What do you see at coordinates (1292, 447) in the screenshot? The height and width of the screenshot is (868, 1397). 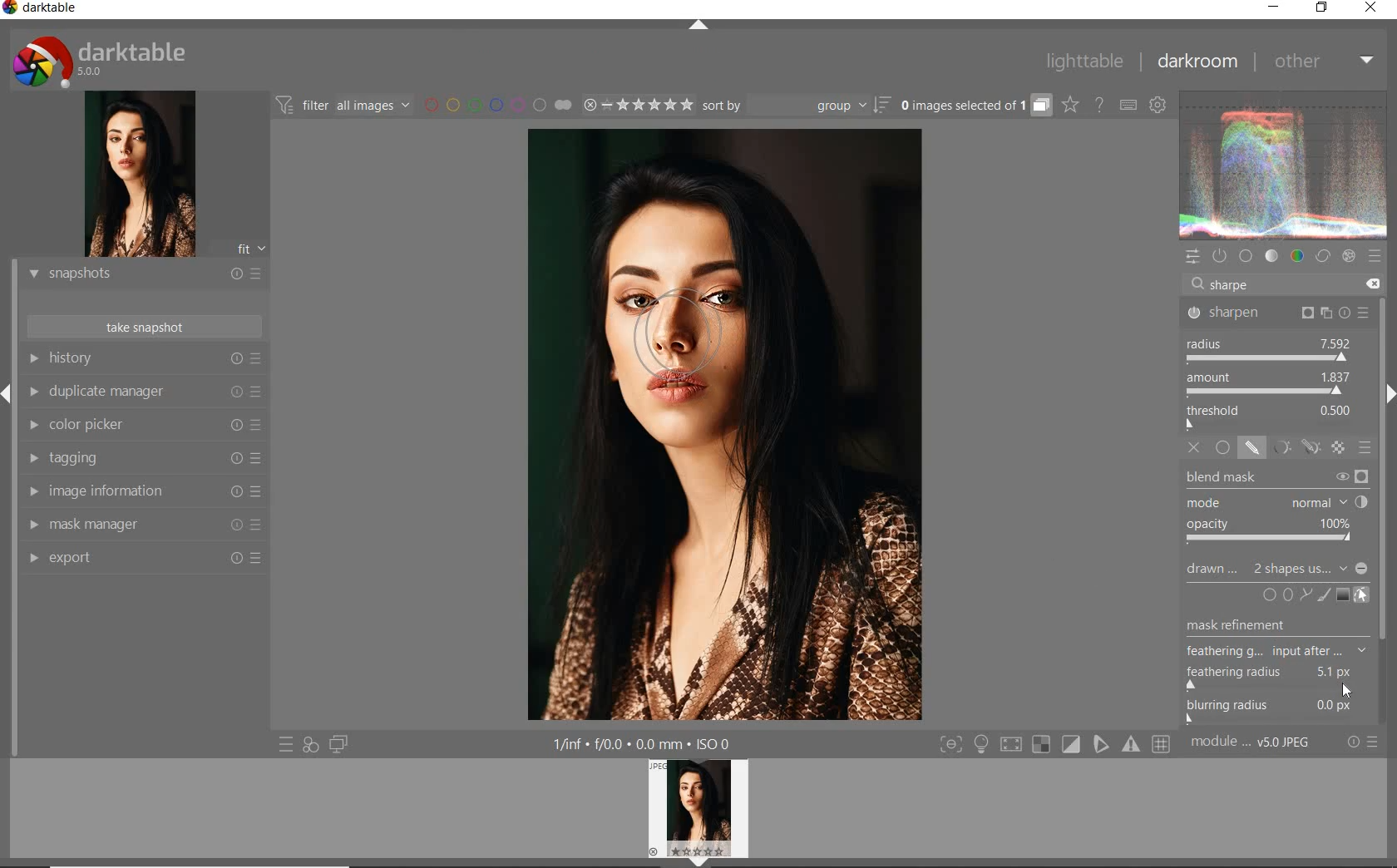 I see `MASK MODES` at bounding box center [1292, 447].